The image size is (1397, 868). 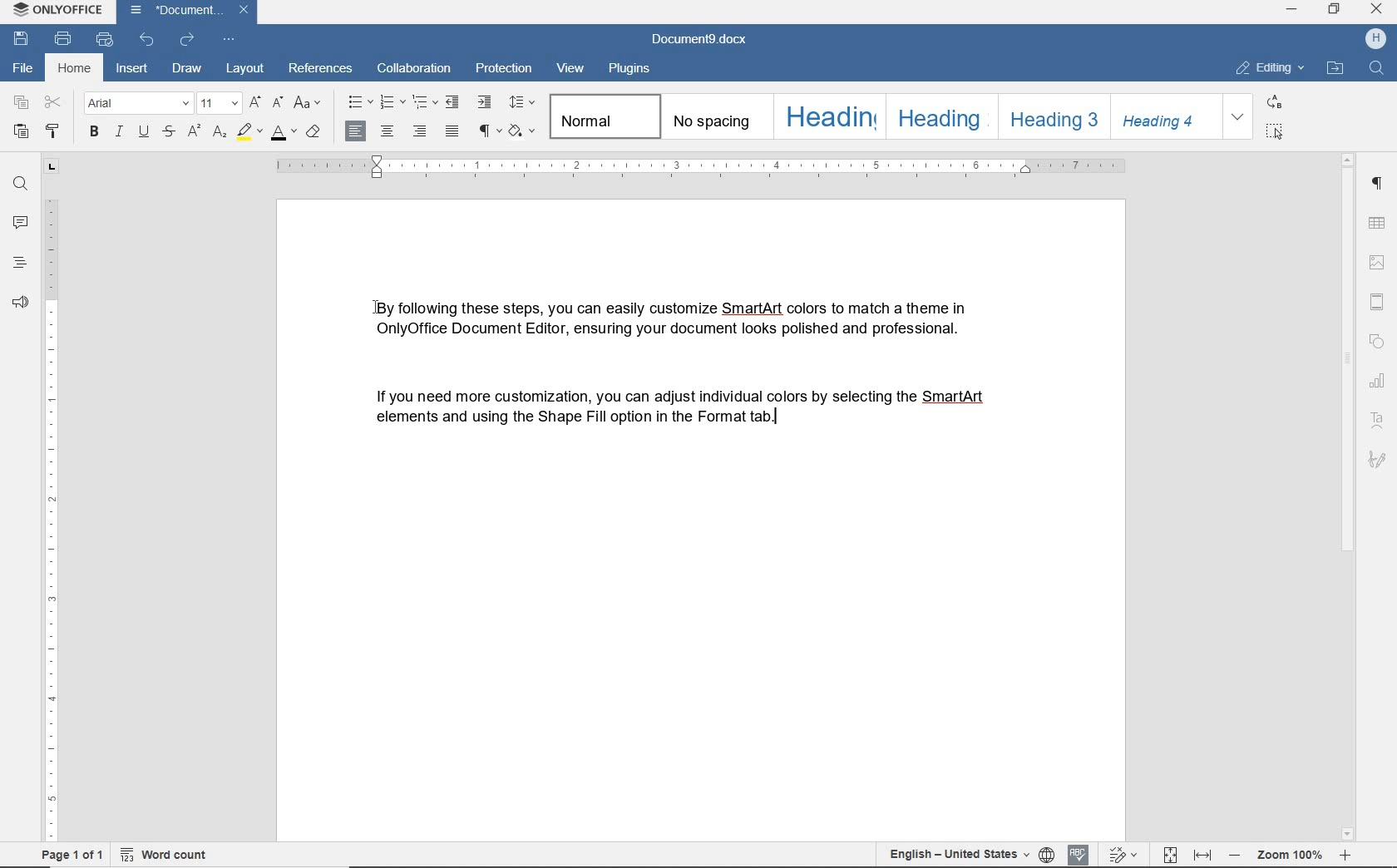 What do you see at coordinates (220, 101) in the screenshot?
I see `font size` at bounding box center [220, 101].